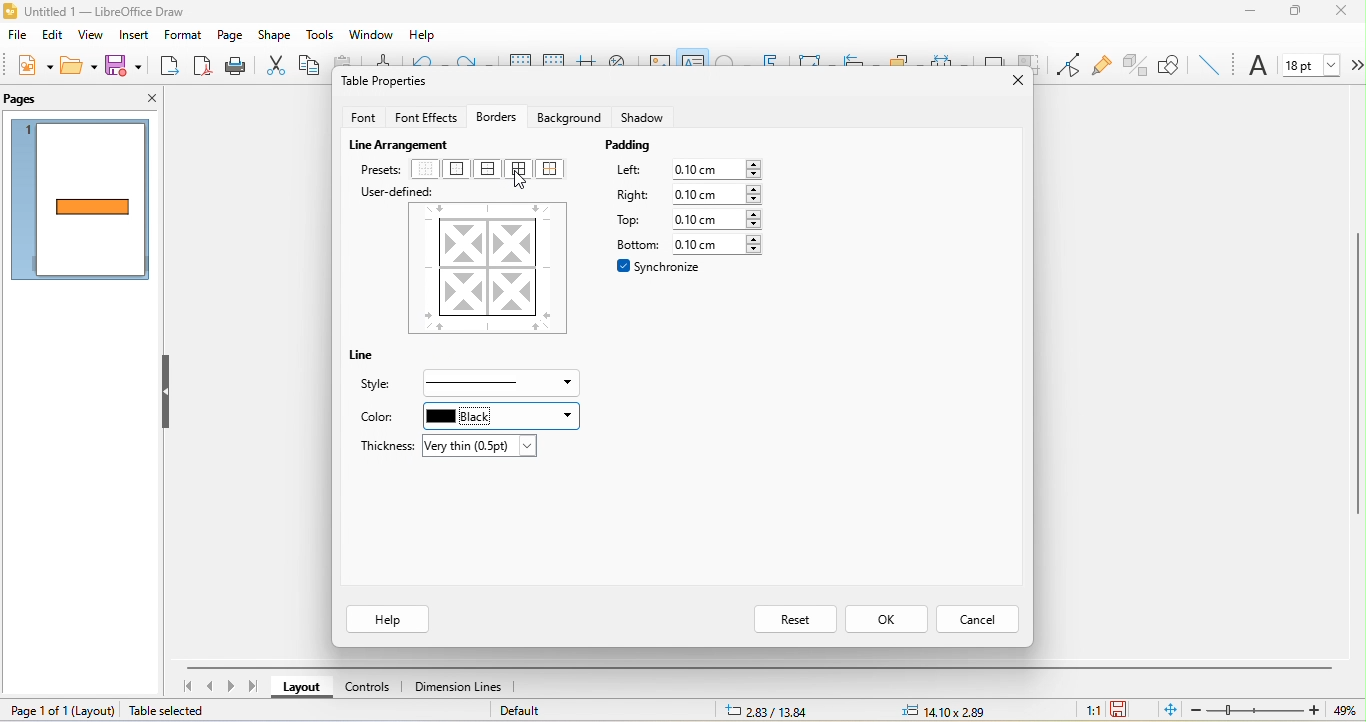 The width and height of the screenshot is (1366, 722). I want to click on the document has not been modified since the last save, so click(1127, 708).